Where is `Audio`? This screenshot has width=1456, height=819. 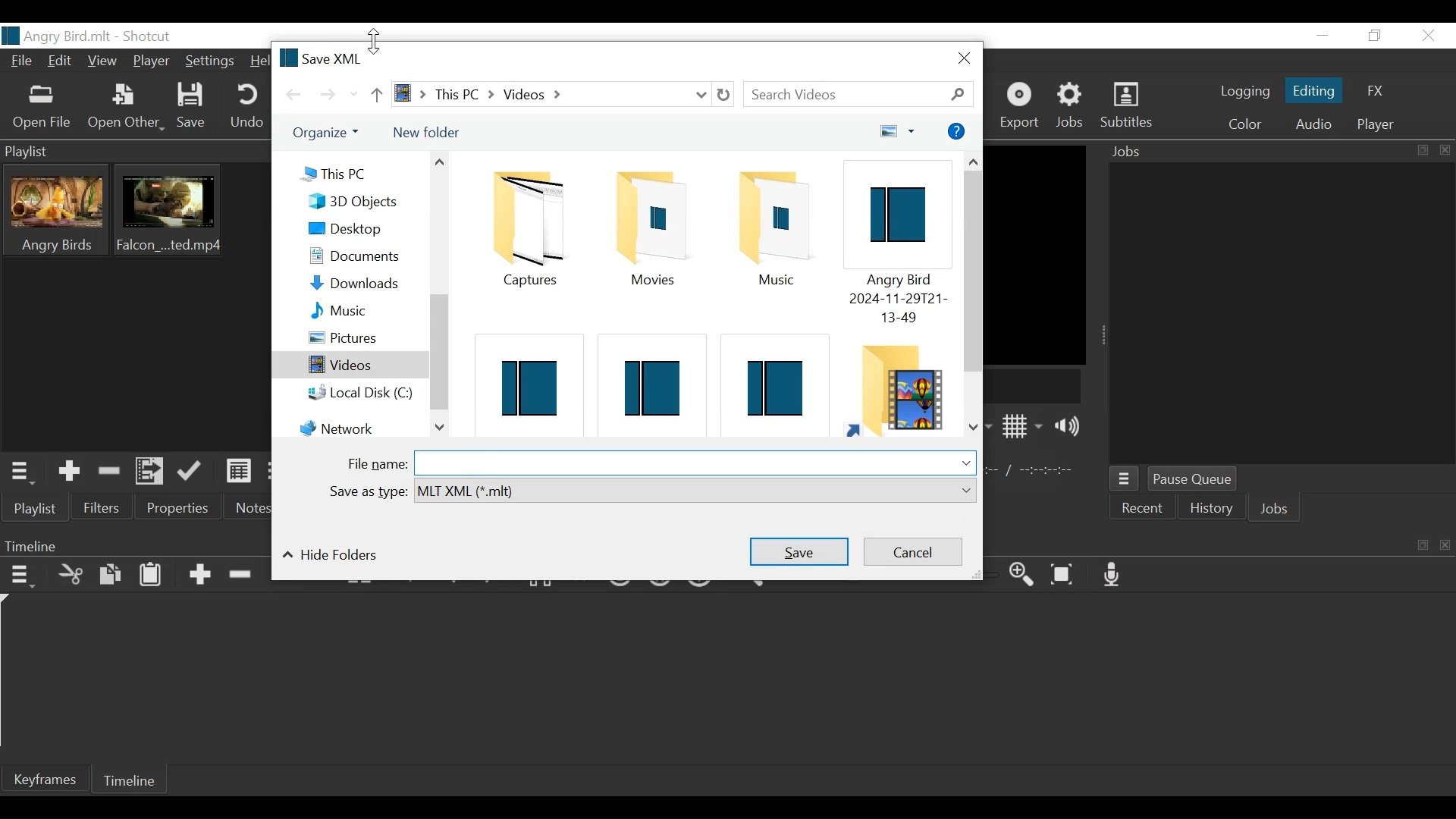 Audio is located at coordinates (1312, 124).